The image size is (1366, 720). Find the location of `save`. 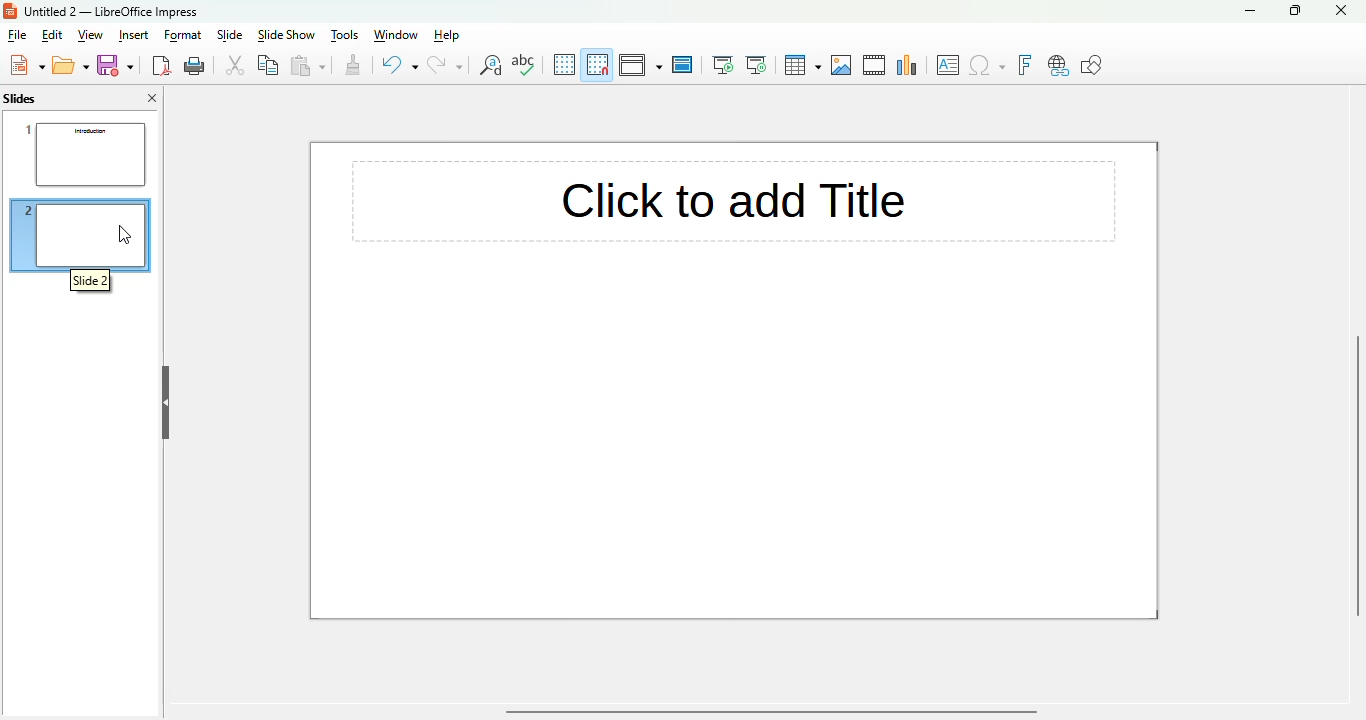

save is located at coordinates (115, 65).